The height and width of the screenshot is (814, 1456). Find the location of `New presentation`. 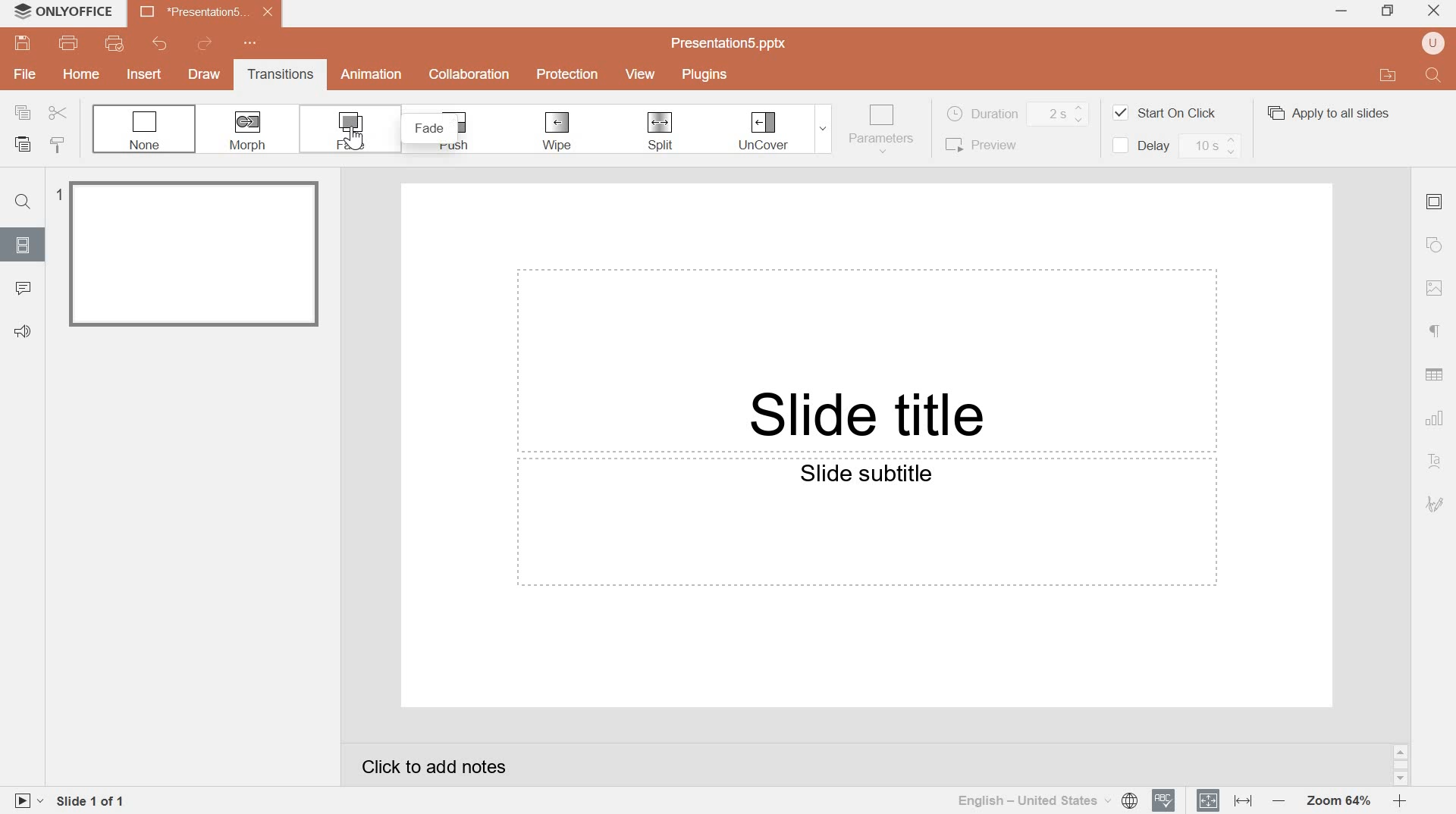

New presentation is located at coordinates (206, 11).